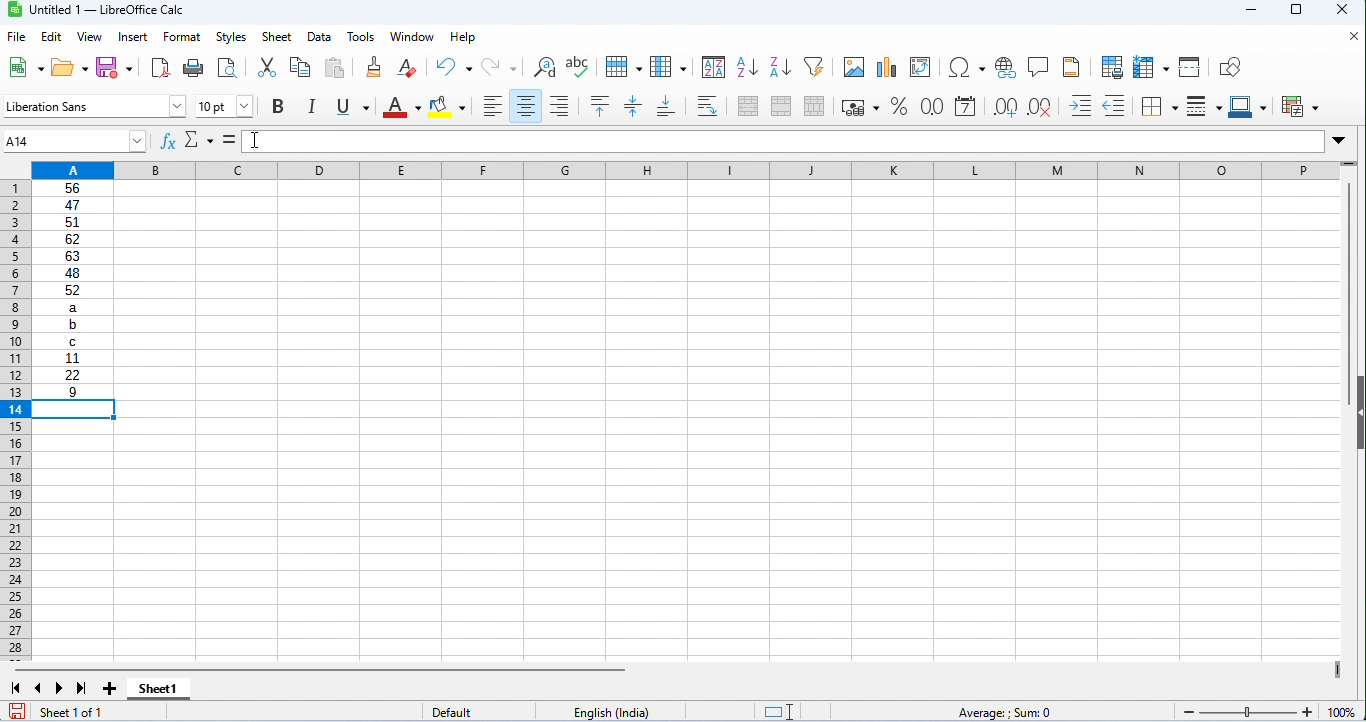 The height and width of the screenshot is (722, 1366). I want to click on sheet 1 of 1, so click(97, 711).